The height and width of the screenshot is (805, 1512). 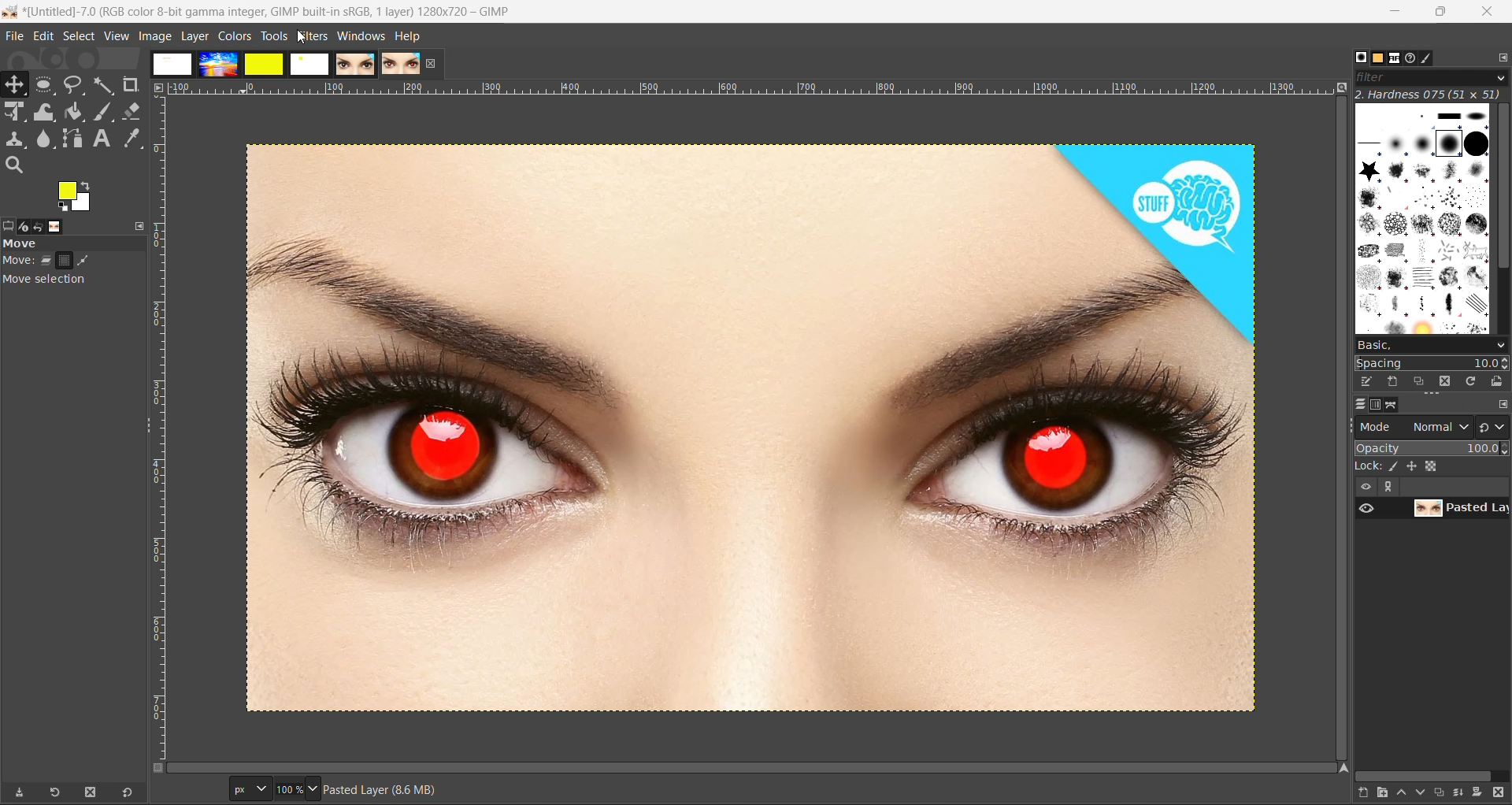 I want to click on view, so click(x=114, y=37).